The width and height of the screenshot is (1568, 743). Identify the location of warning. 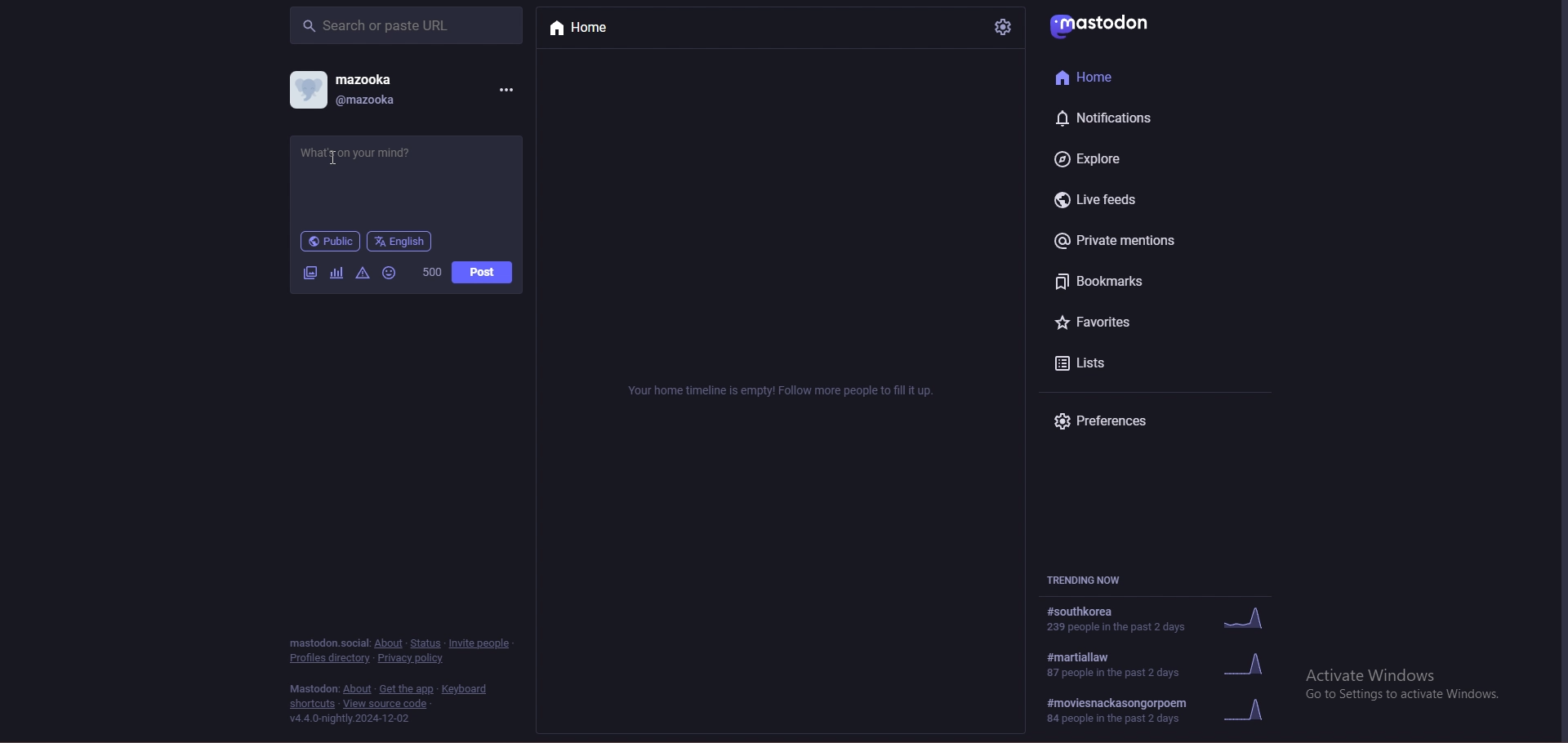
(363, 274).